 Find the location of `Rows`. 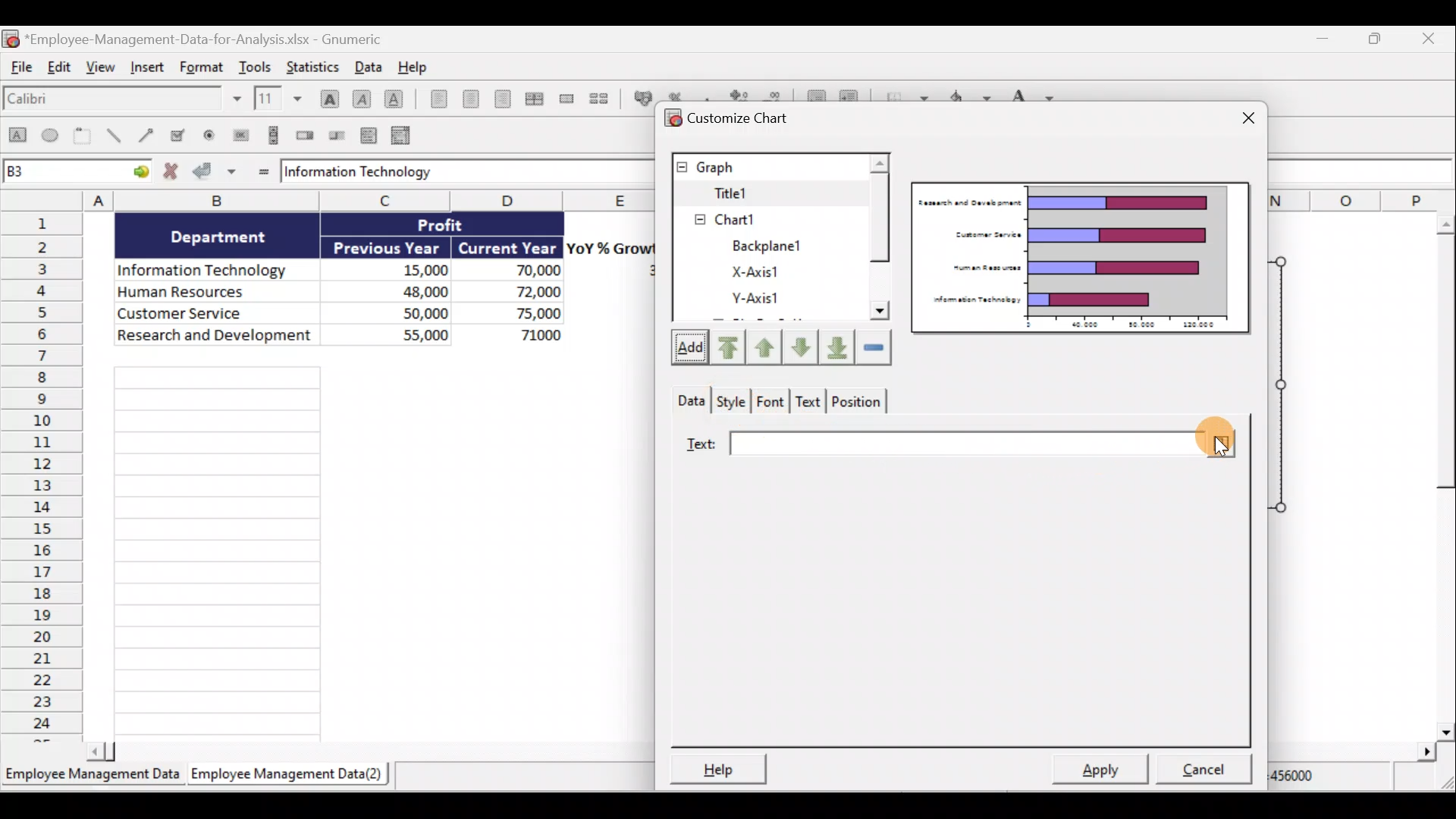

Rows is located at coordinates (42, 478).